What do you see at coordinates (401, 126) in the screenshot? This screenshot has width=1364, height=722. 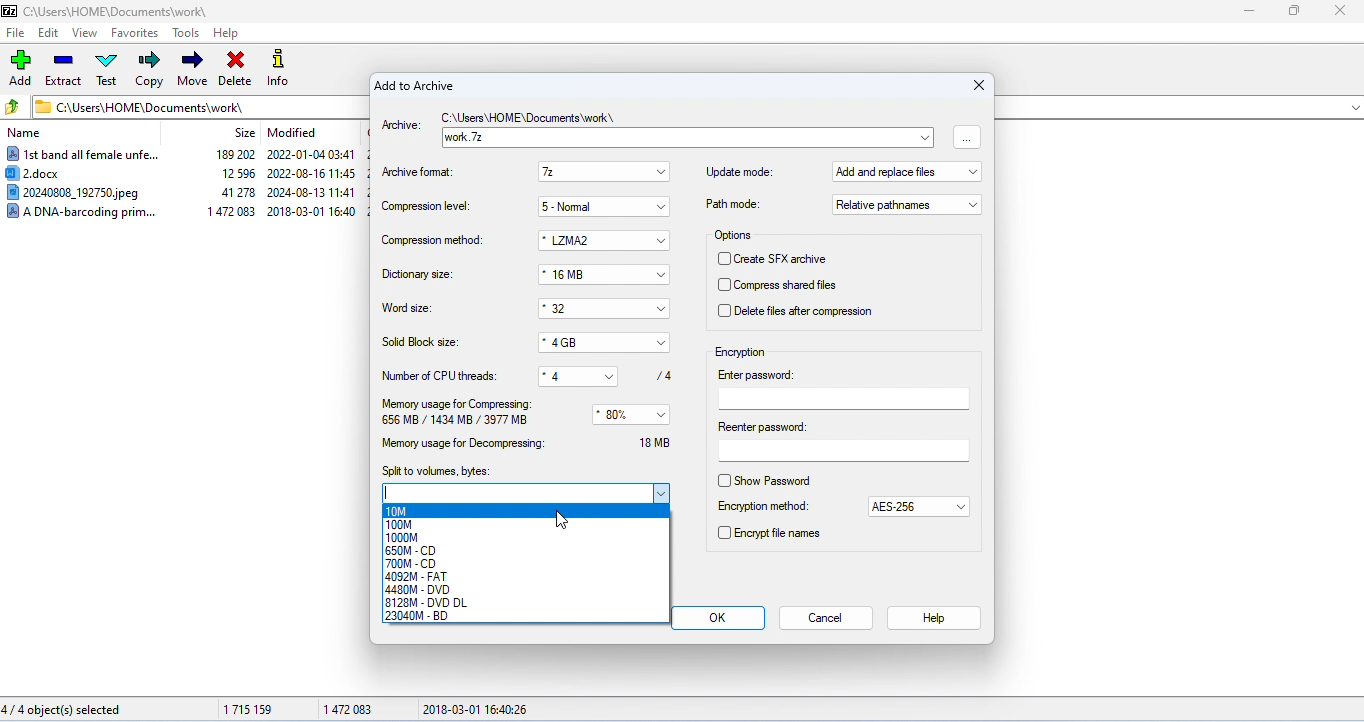 I see `archive` at bounding box center [401, 126].